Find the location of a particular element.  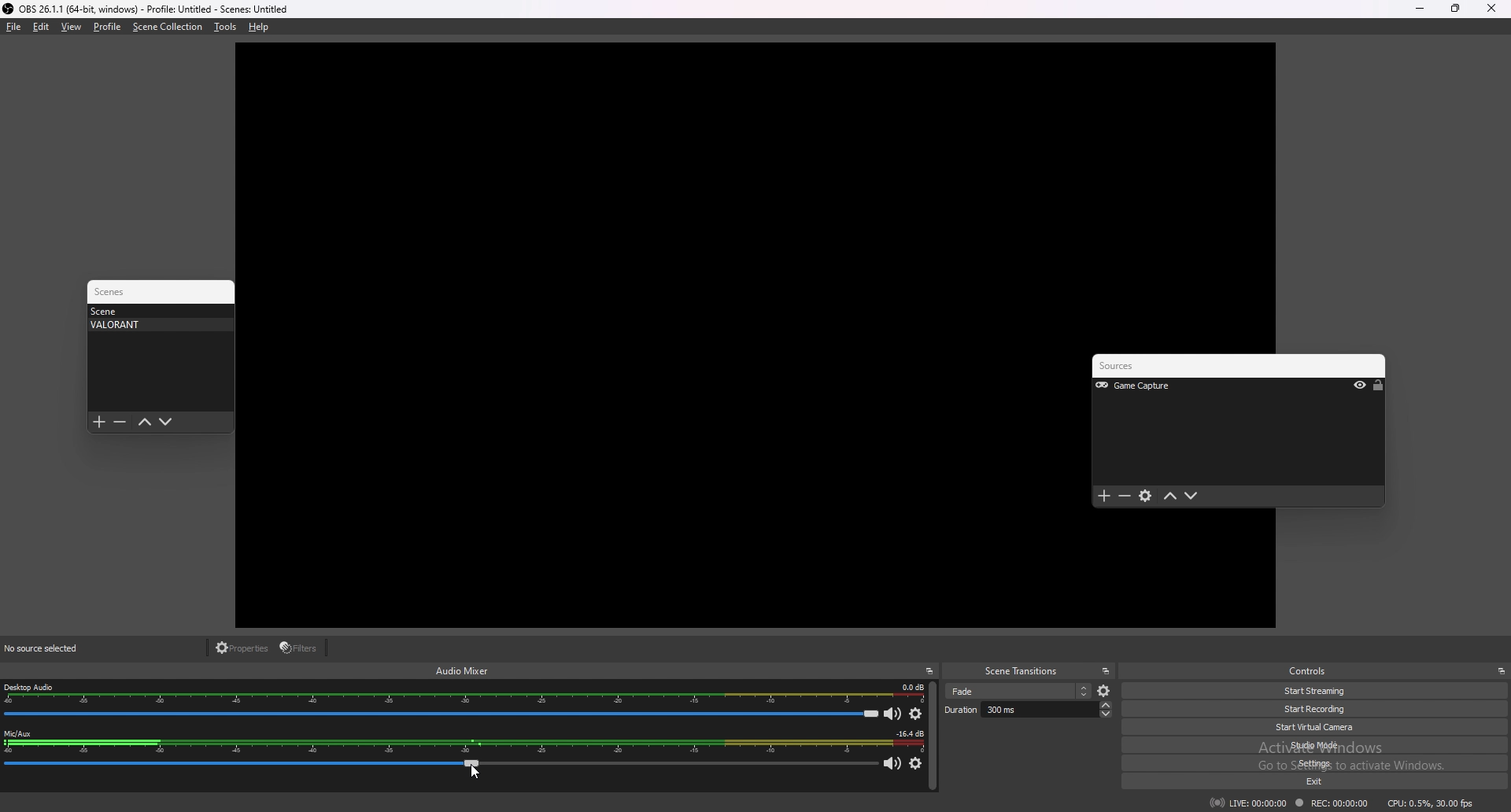

pop out is located at coordinates (1106, 671).